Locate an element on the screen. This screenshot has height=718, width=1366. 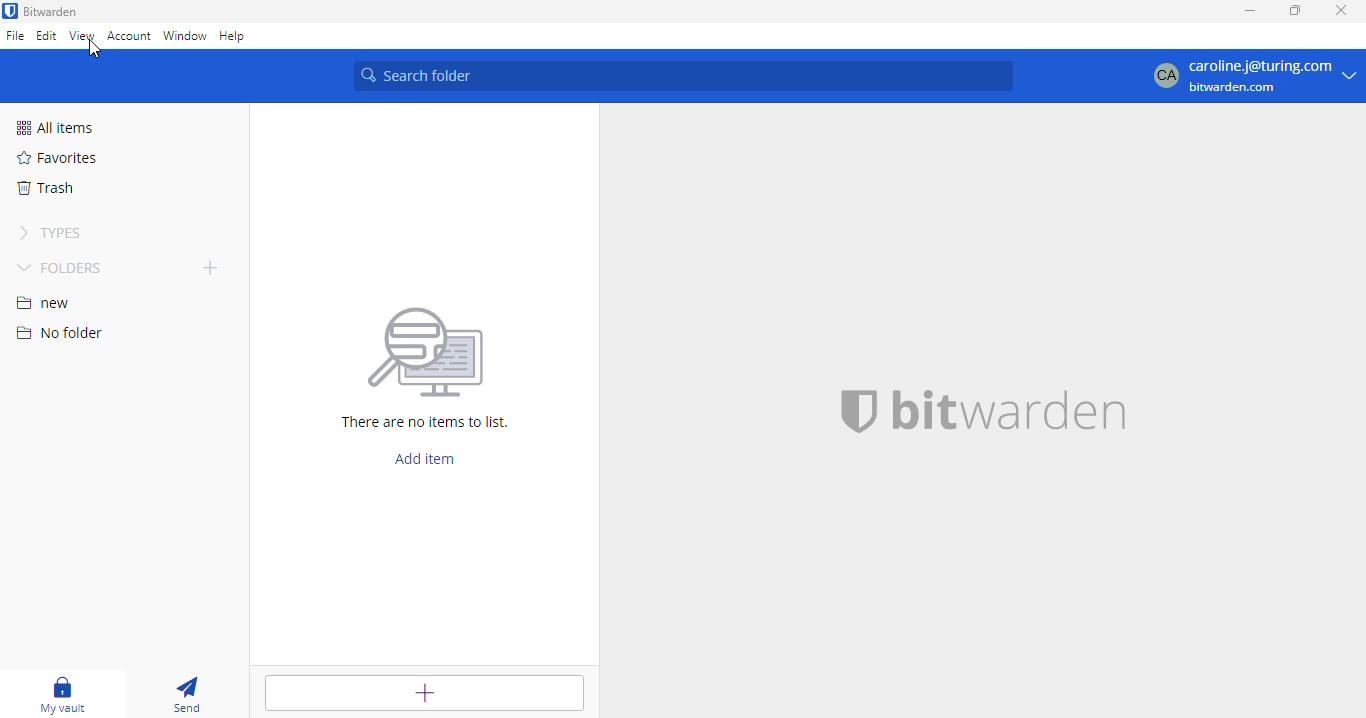
edit is located at coordinates (46, 35).